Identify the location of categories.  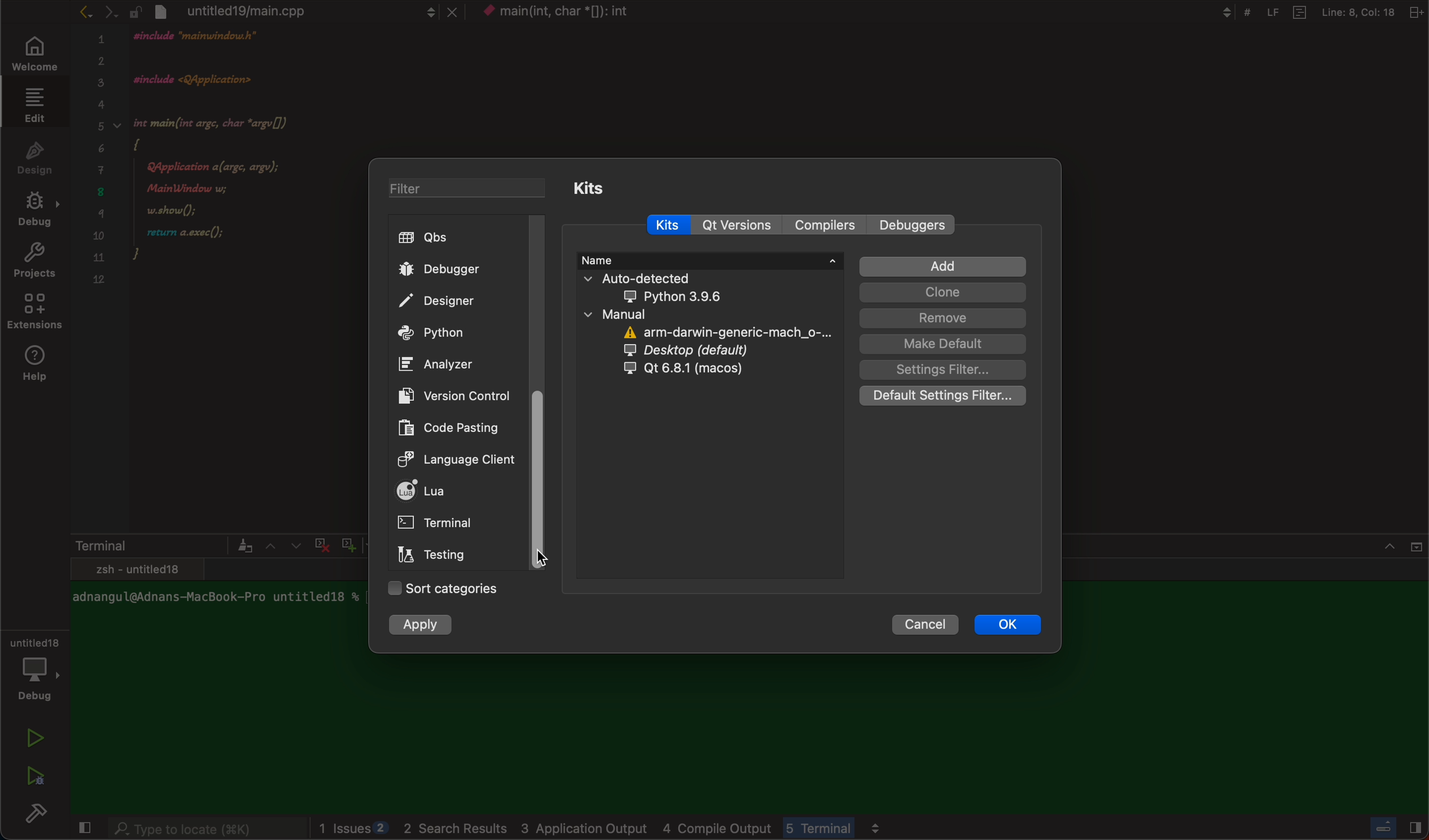
(442, 589).